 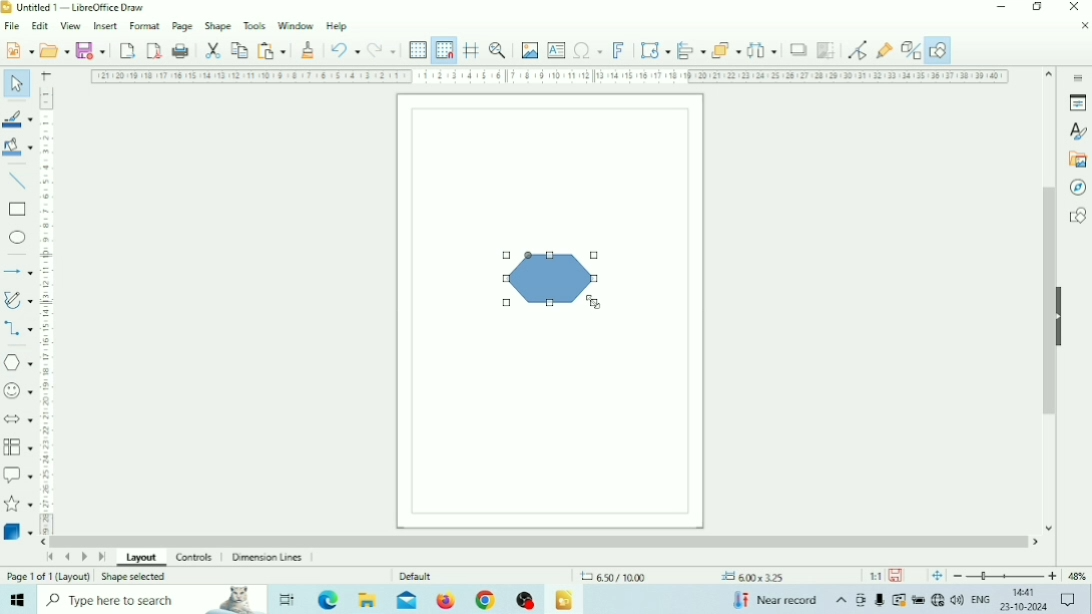 What do you see at coordinates (551, 77) in the screenshot?
I see `Horizontal scale` at bounding box center [551, 77].